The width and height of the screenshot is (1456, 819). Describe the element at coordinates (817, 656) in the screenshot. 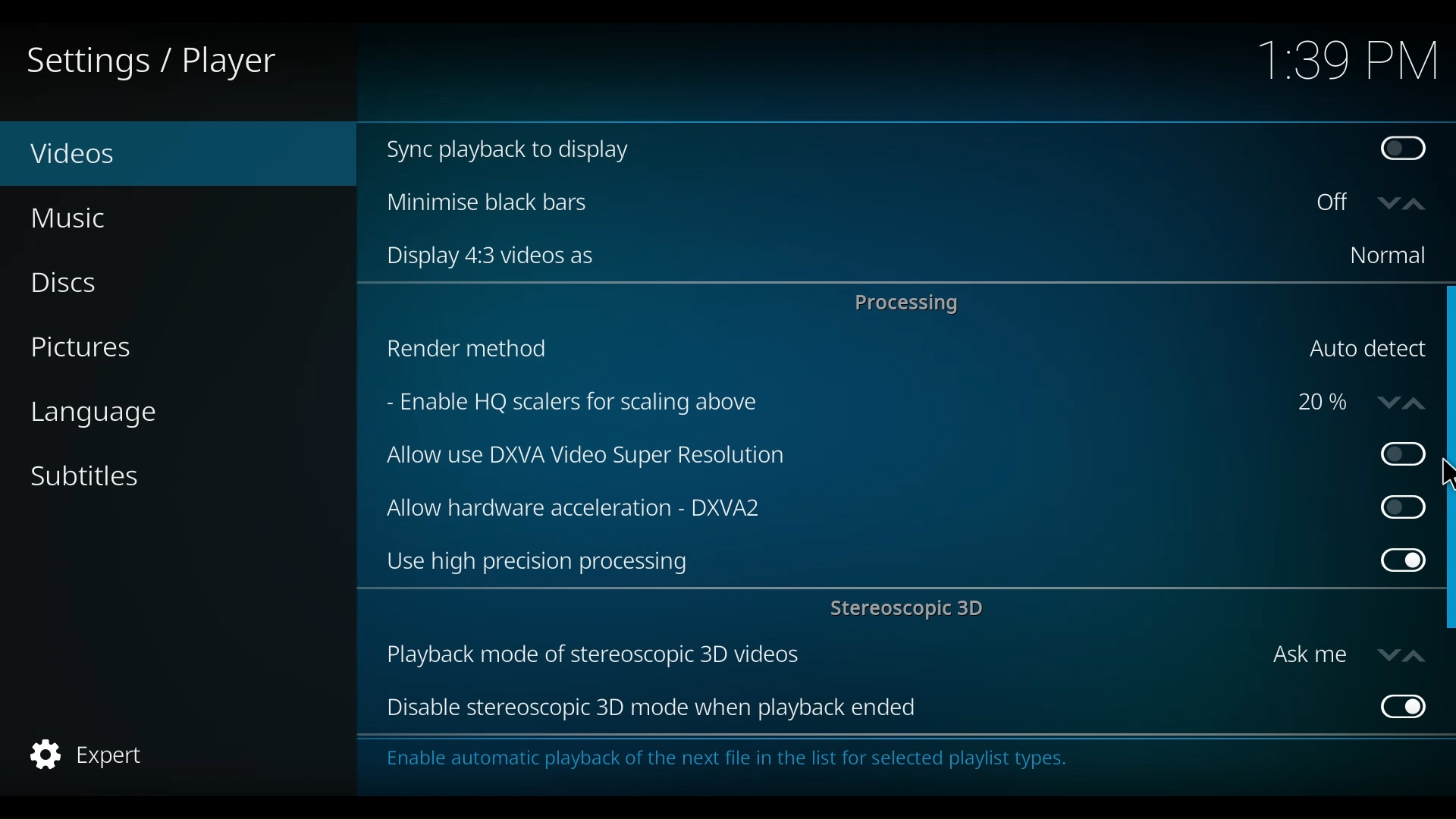

I see `Playback mode of stereoscopic 3D videos` at that location.